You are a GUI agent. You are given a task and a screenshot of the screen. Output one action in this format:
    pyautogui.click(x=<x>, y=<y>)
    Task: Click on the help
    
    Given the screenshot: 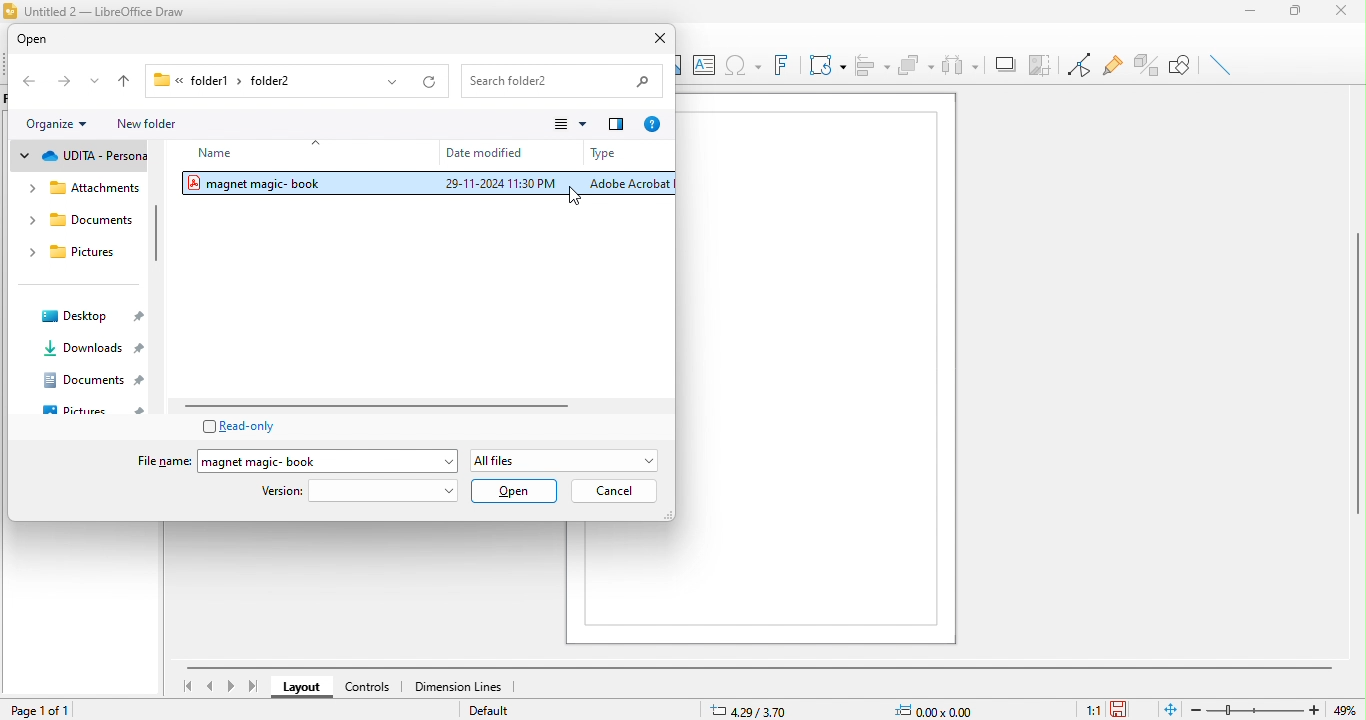 What is the action you would take?
    pyautogui.click(x=653, y=124)
    